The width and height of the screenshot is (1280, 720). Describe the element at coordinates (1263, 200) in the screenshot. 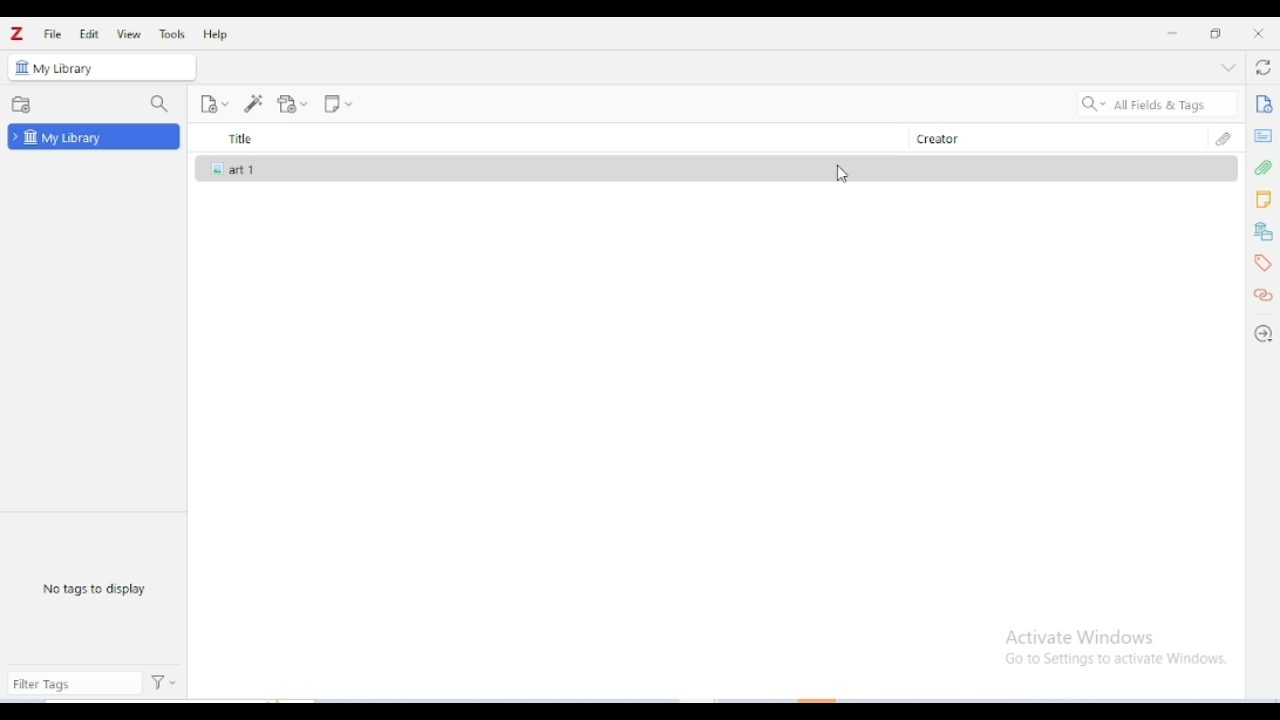

I see `notes` at that location.